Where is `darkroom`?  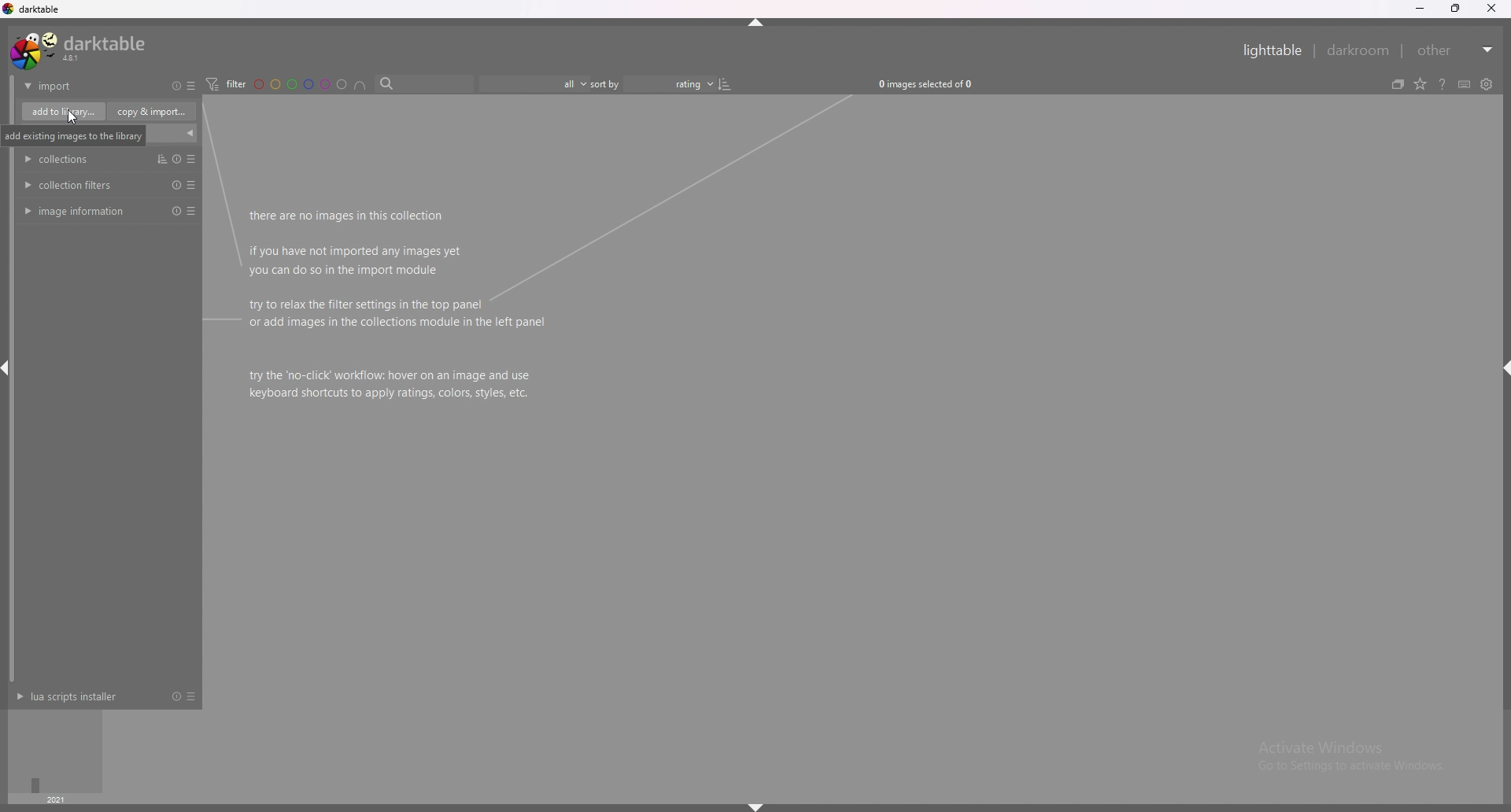 darkroom is located at coordinates (1359, 50).